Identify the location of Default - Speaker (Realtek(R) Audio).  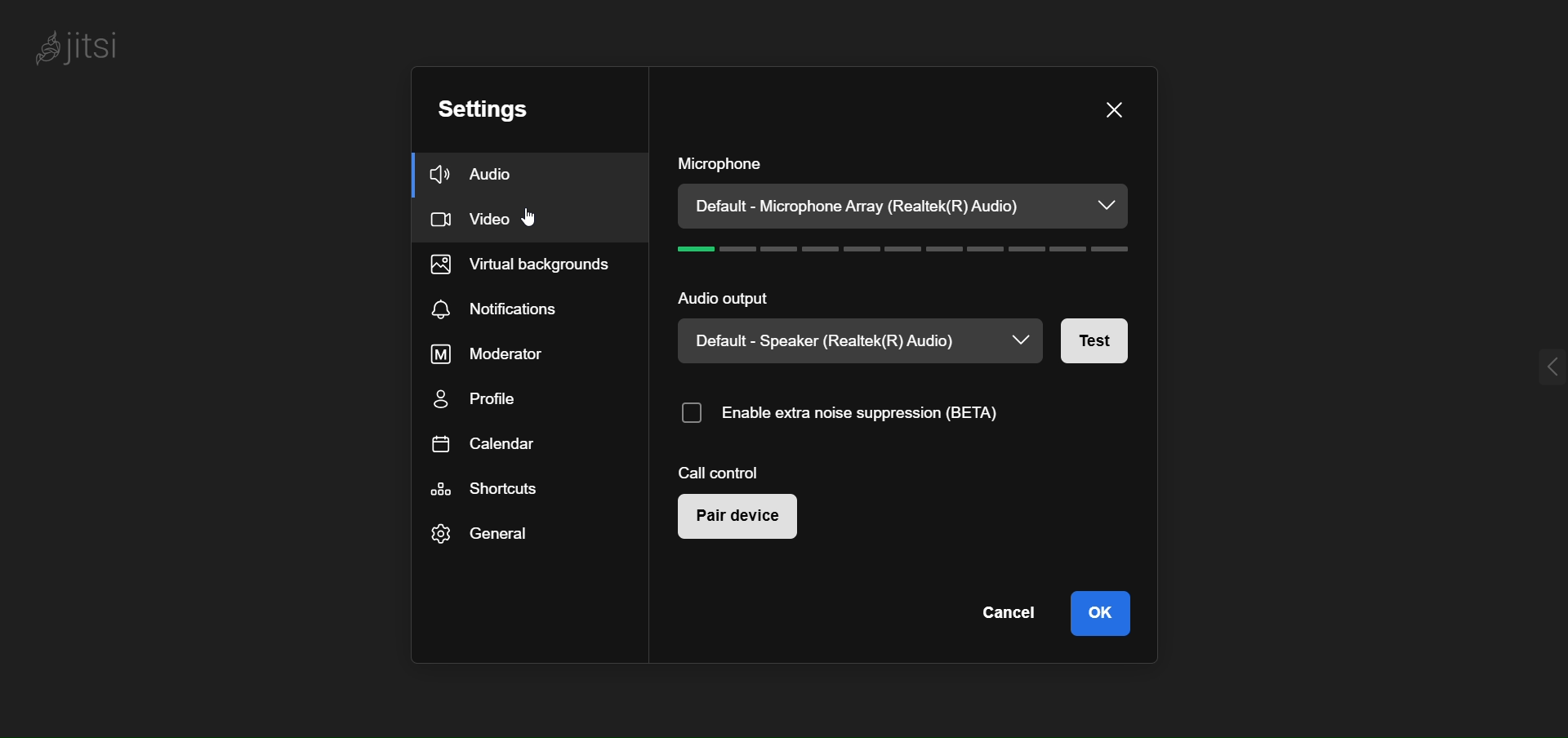
(815, 345).